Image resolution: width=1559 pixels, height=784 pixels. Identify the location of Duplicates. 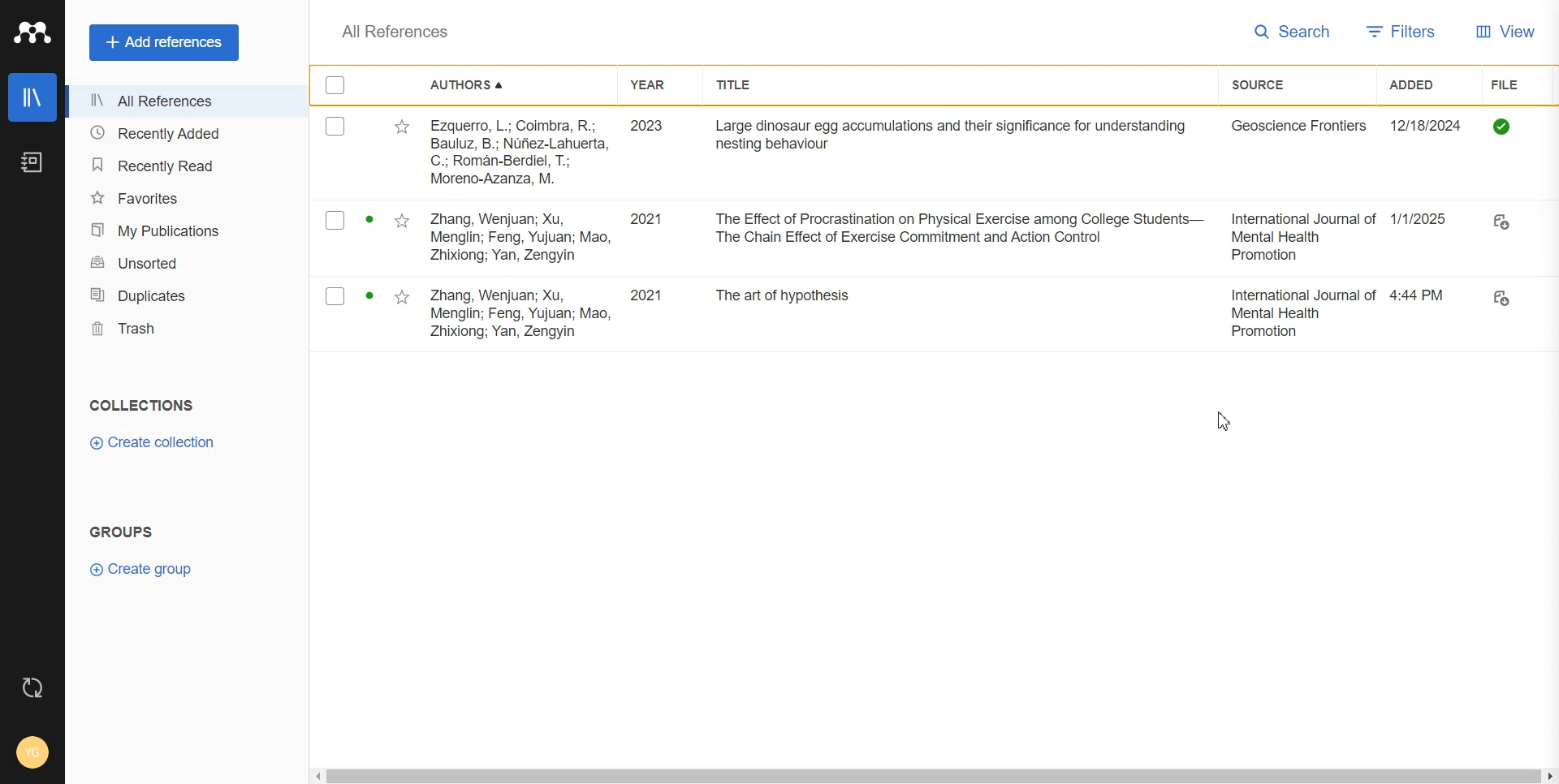
(174, 295).